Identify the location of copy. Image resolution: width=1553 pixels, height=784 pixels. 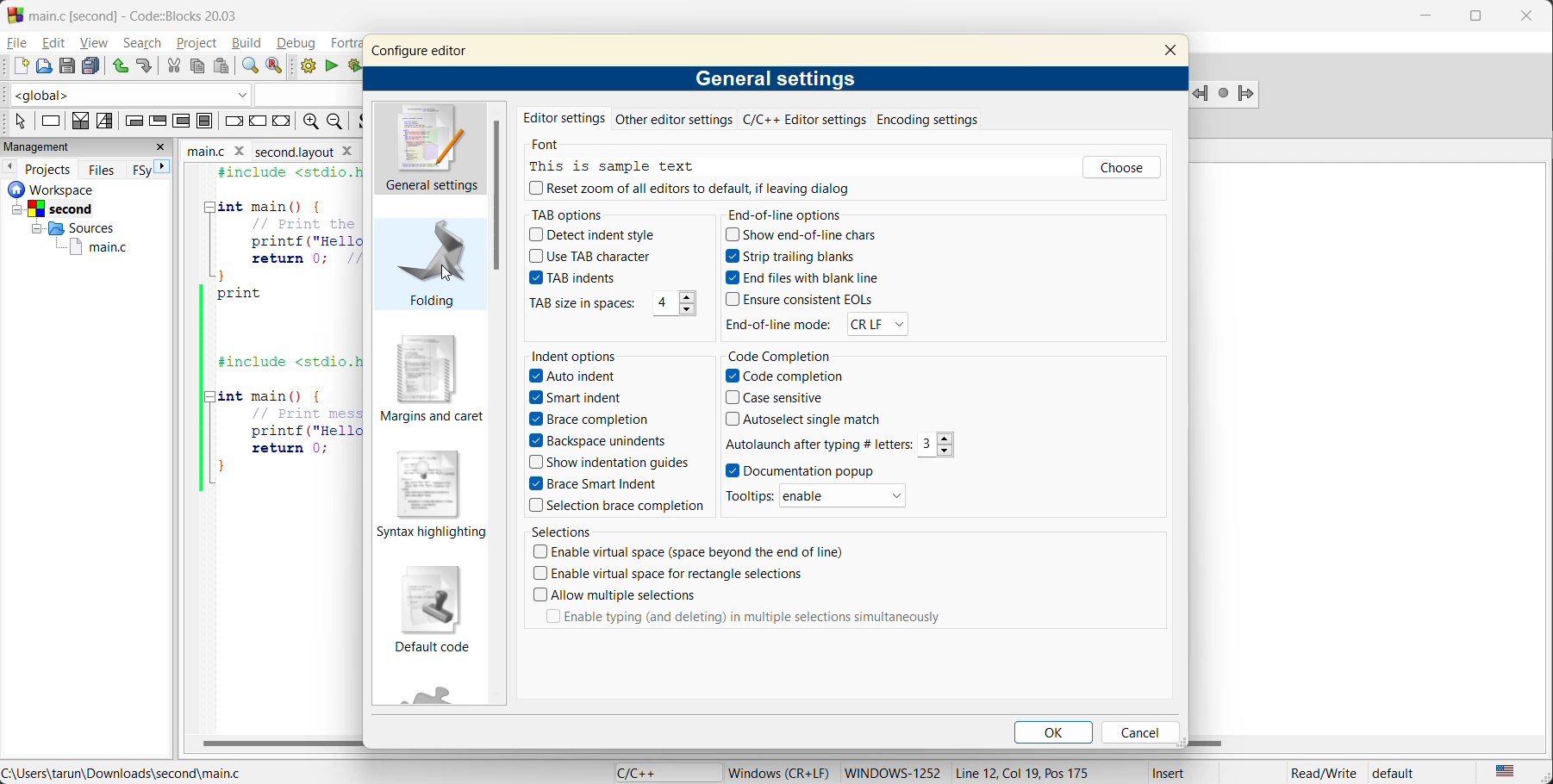
(196, 64).